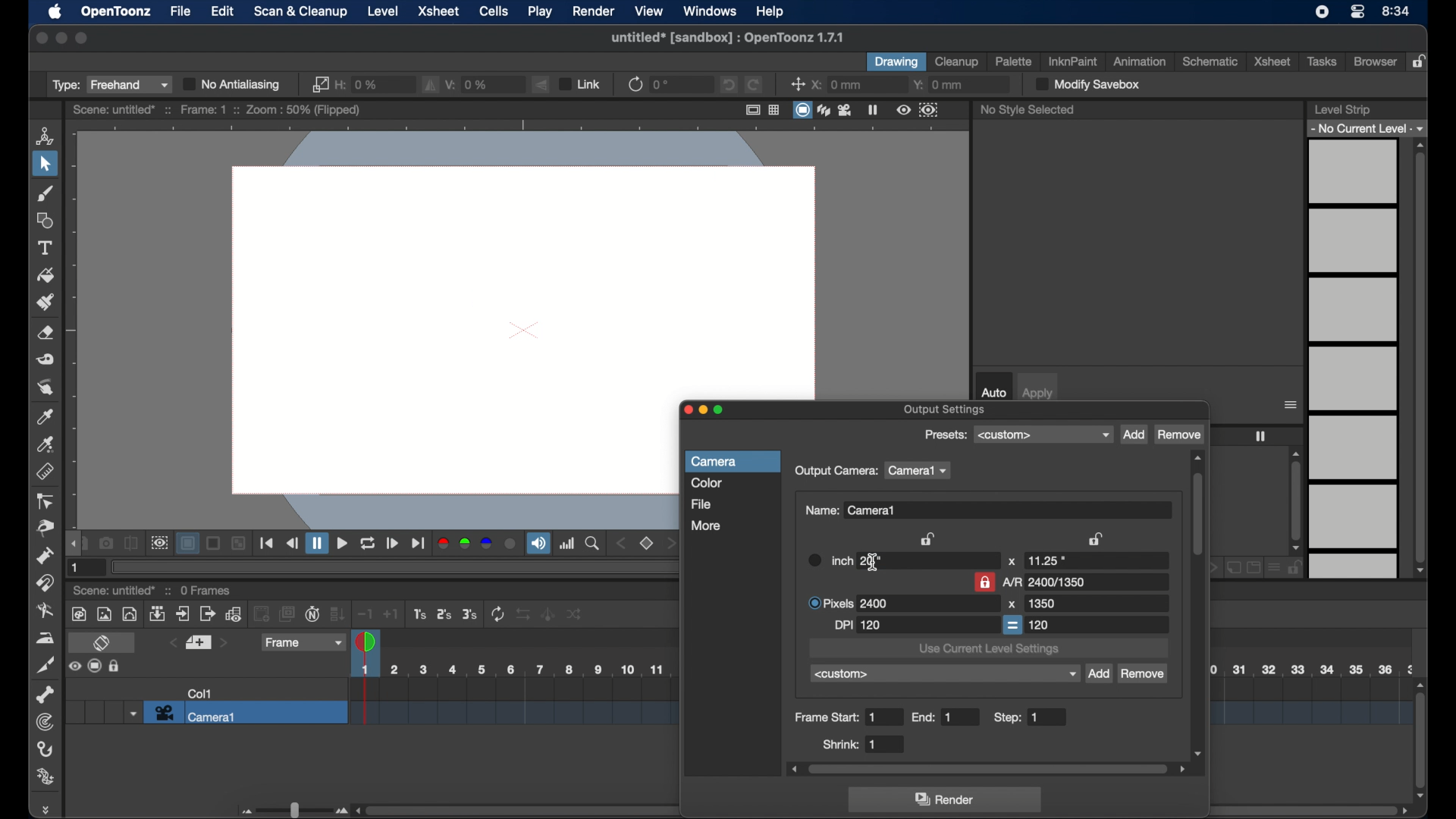 The height and width of the screenshot is (819, 1456). What do you see at coordinates (291, 544) in the screenshot?
I see `` at bounding box center [291, 544].